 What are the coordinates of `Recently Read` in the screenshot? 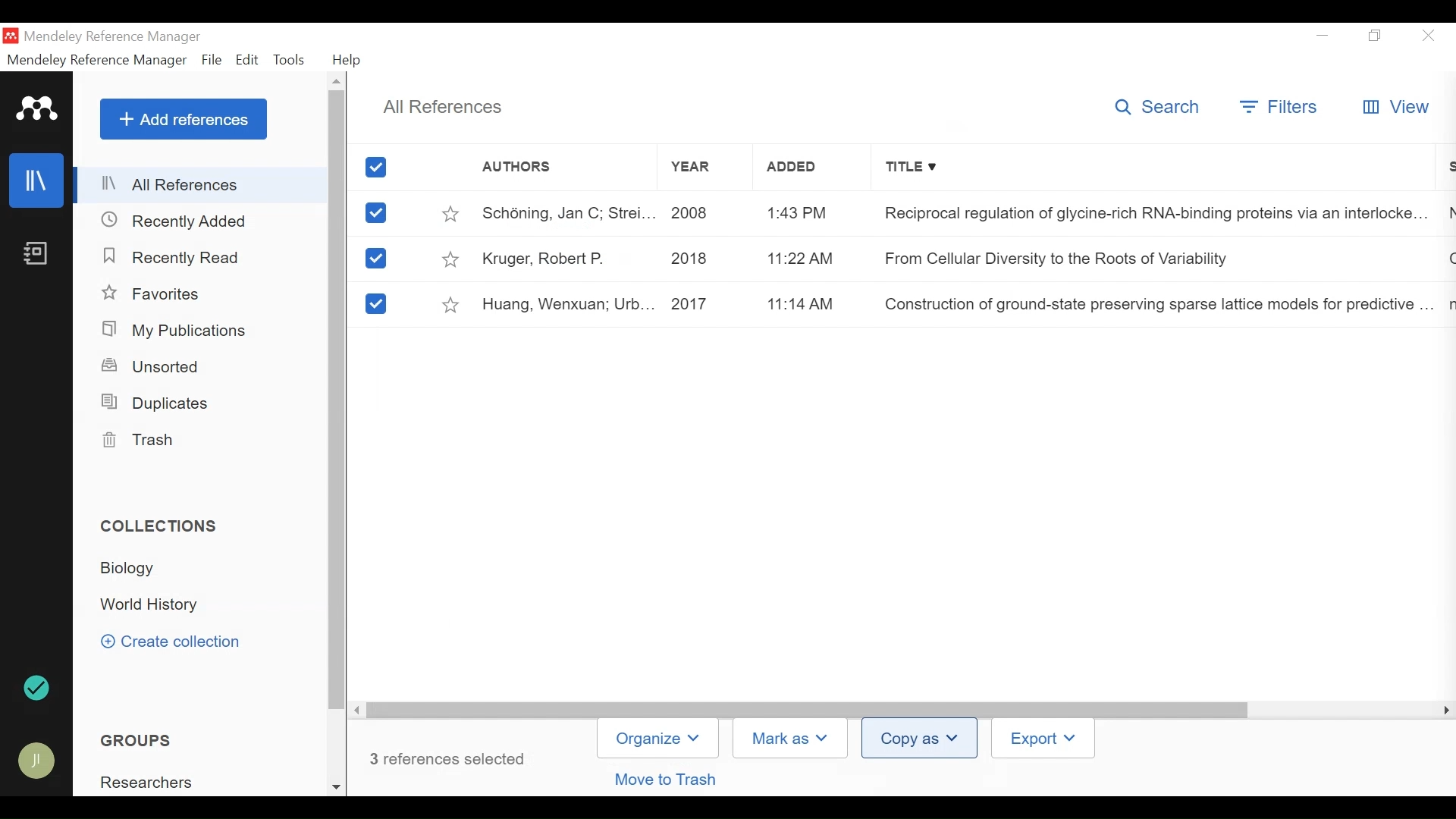 It's located at (175, 258).